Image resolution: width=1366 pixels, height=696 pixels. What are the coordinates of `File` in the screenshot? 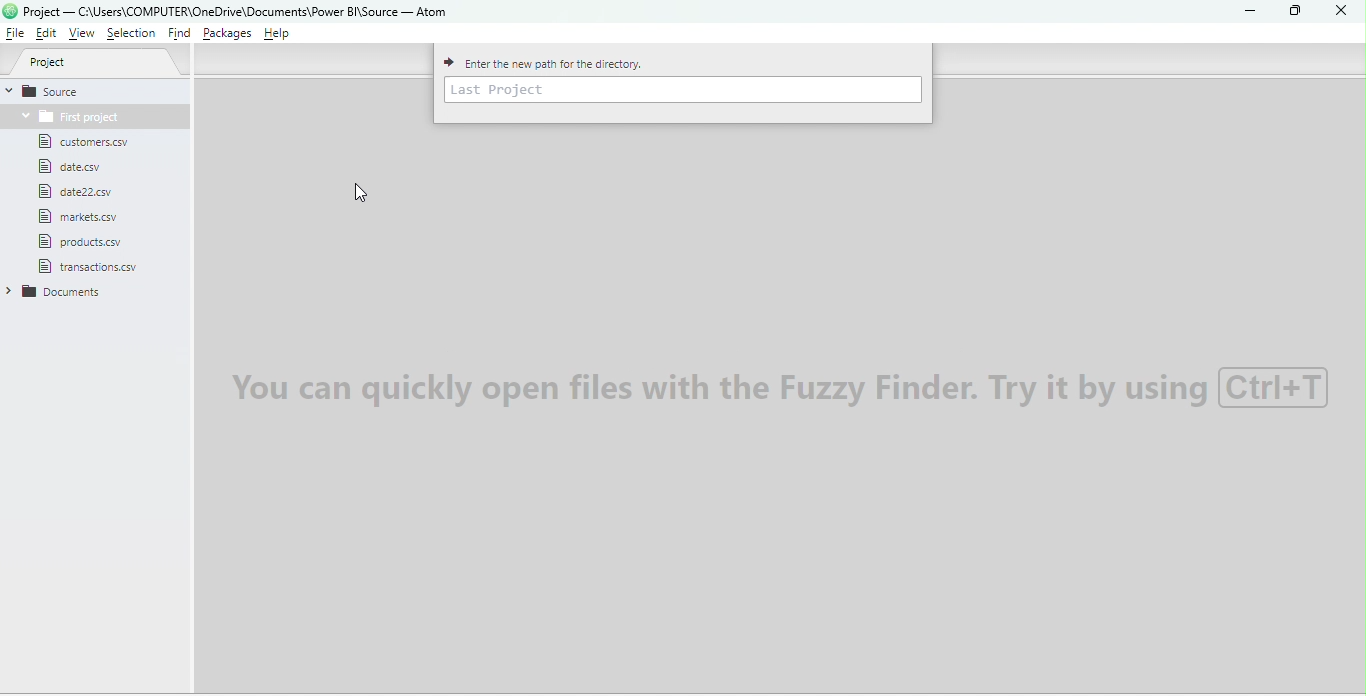 It's located at (80, 191).